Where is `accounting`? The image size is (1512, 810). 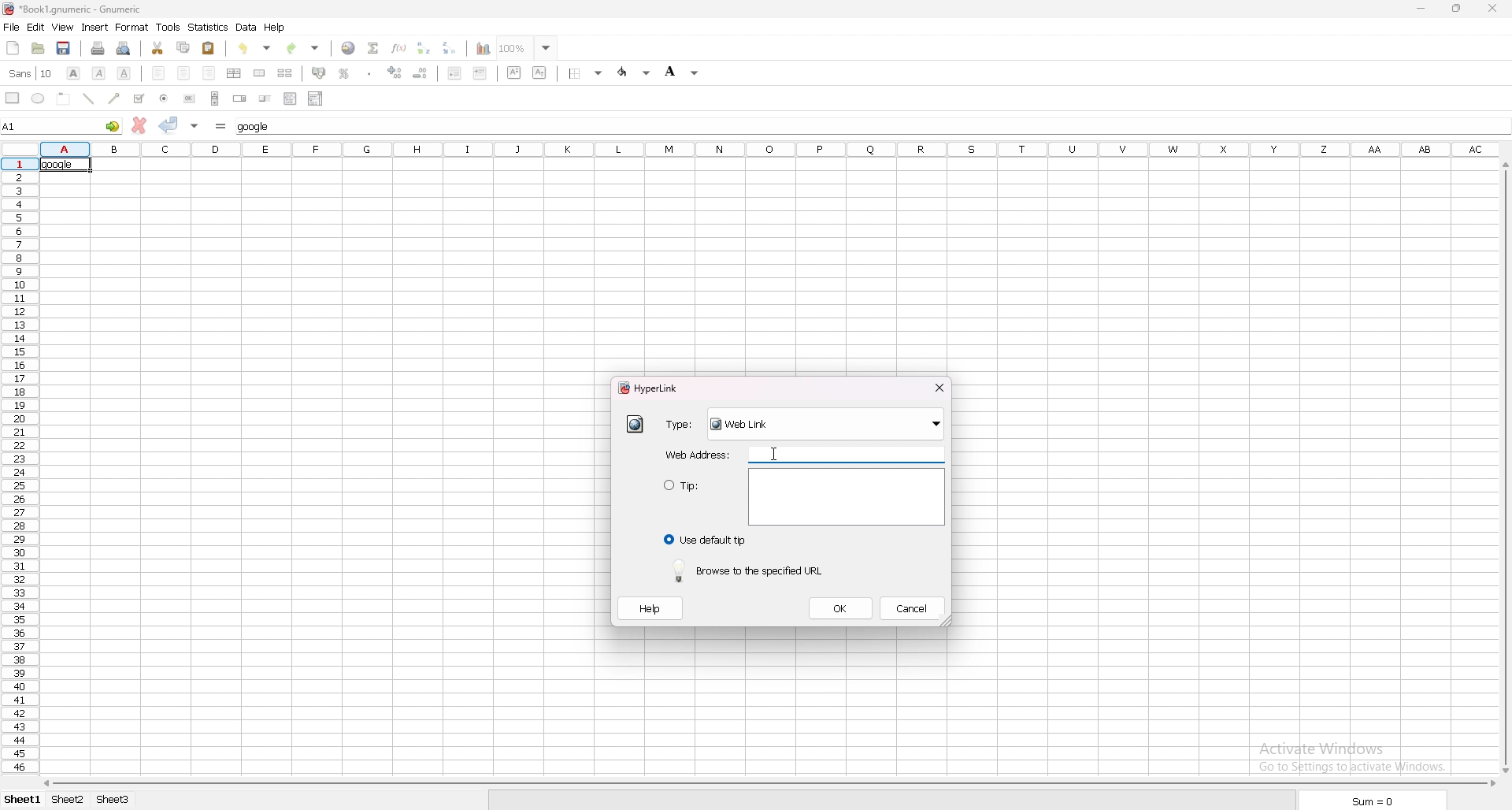 accounting is located at coordinates (320, 72).